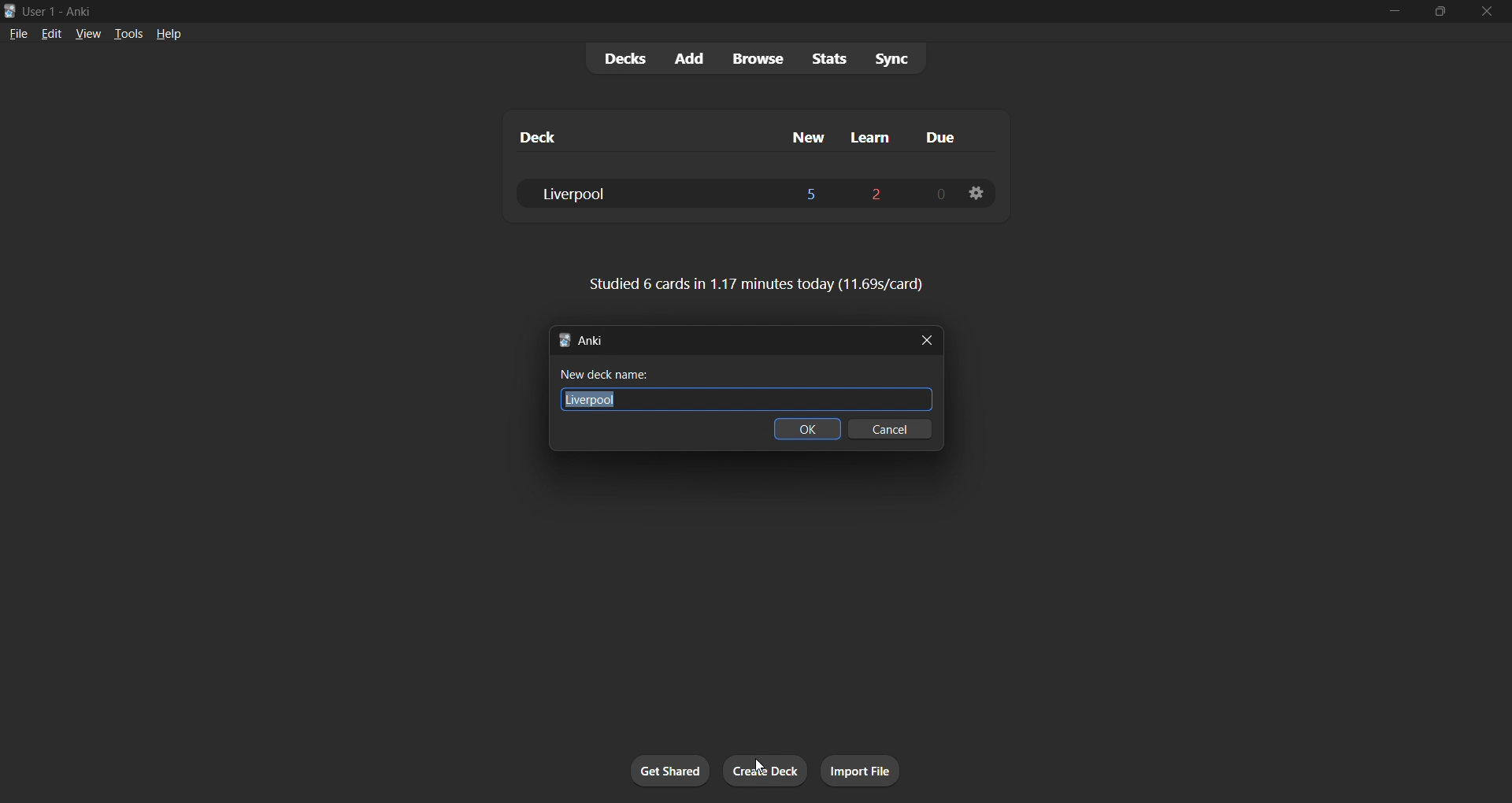 The height and width of the screenshot is (803, 1512). I want to click on new tab title, so click(726, 341).